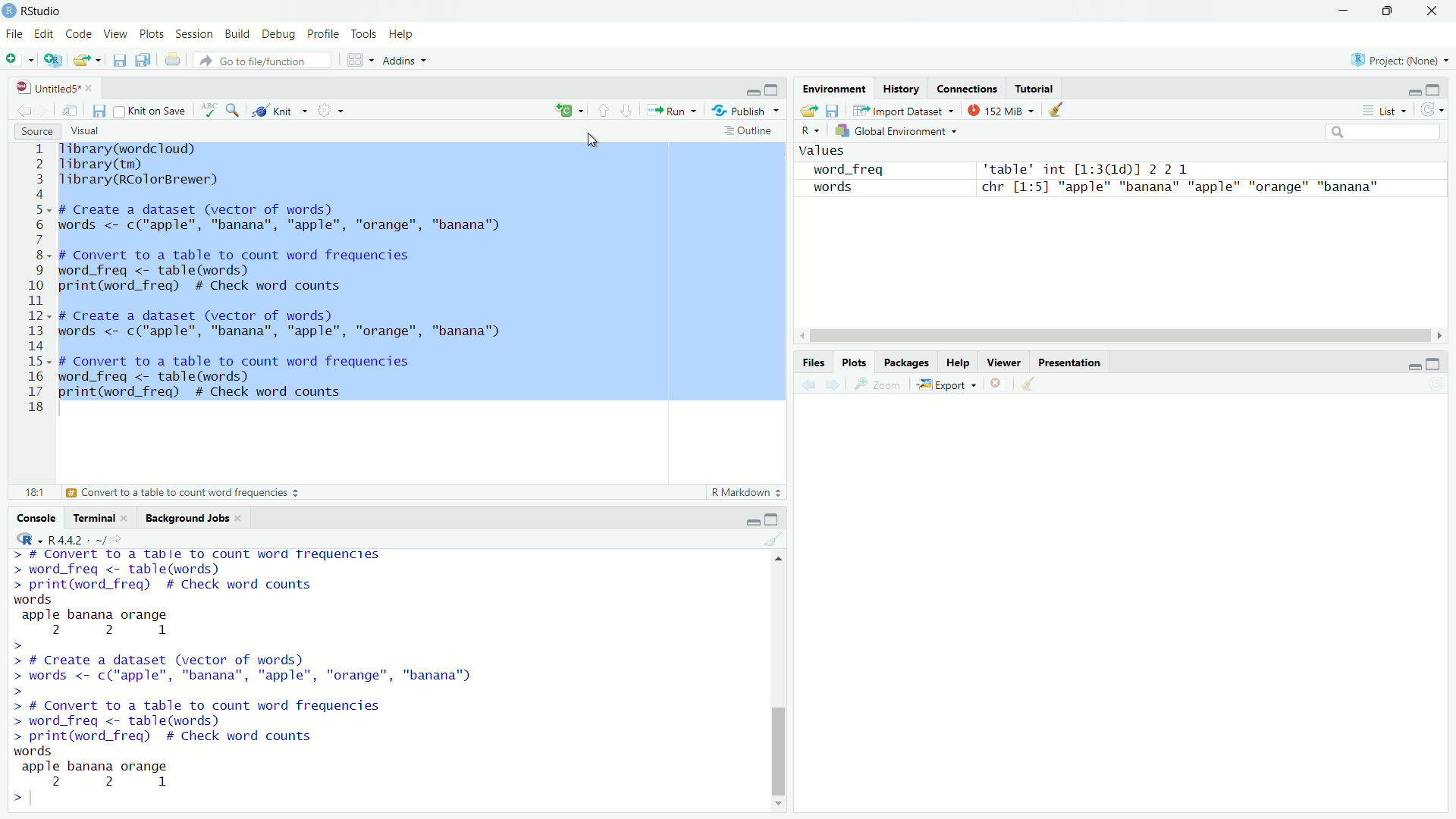 Image resolution: width=1456 pixels, height=819 pixels. I want to click on minimize, so click(753, 92).